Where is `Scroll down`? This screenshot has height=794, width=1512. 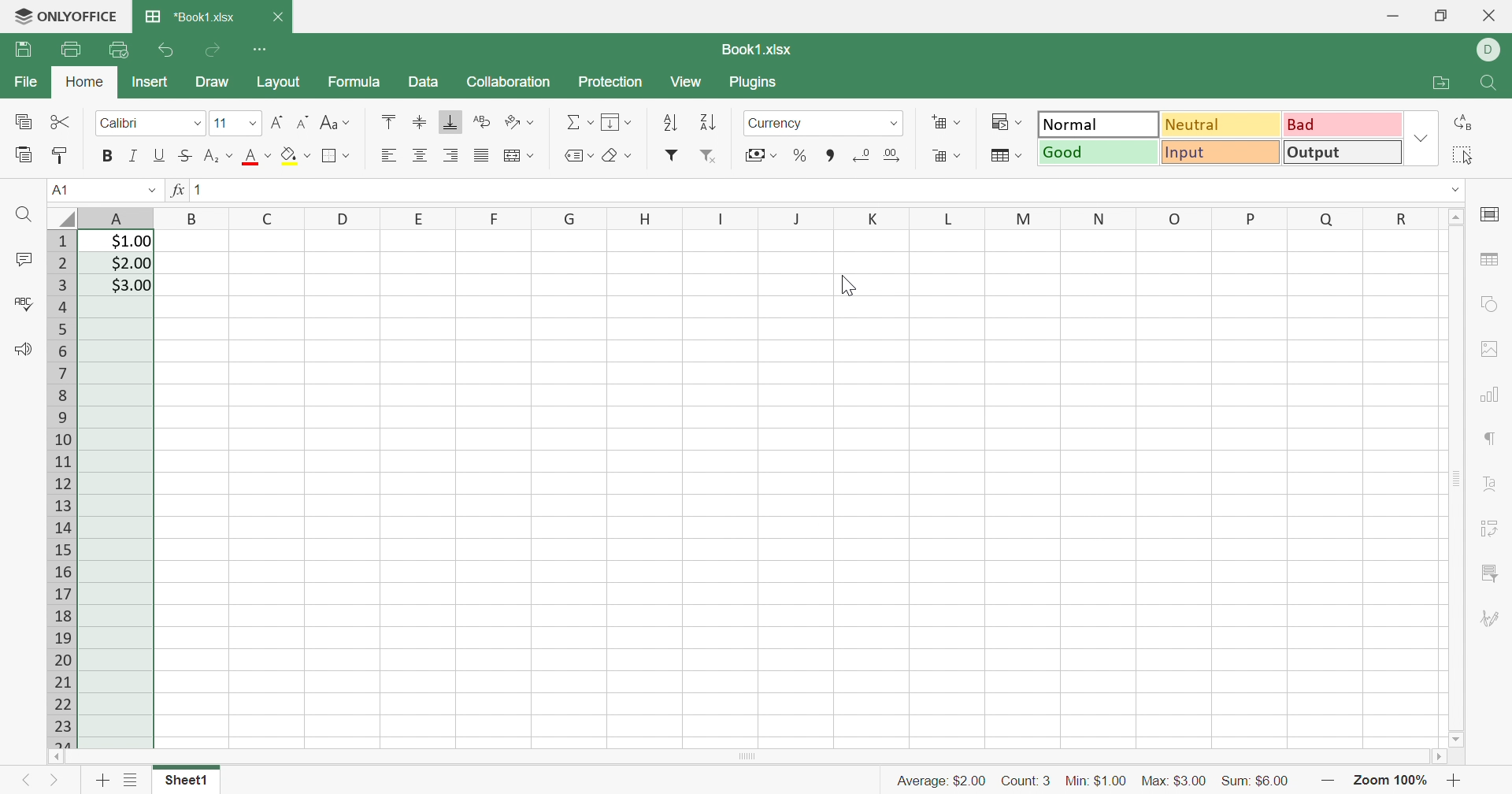
Scroll down is located at coordinates (1456, 740).